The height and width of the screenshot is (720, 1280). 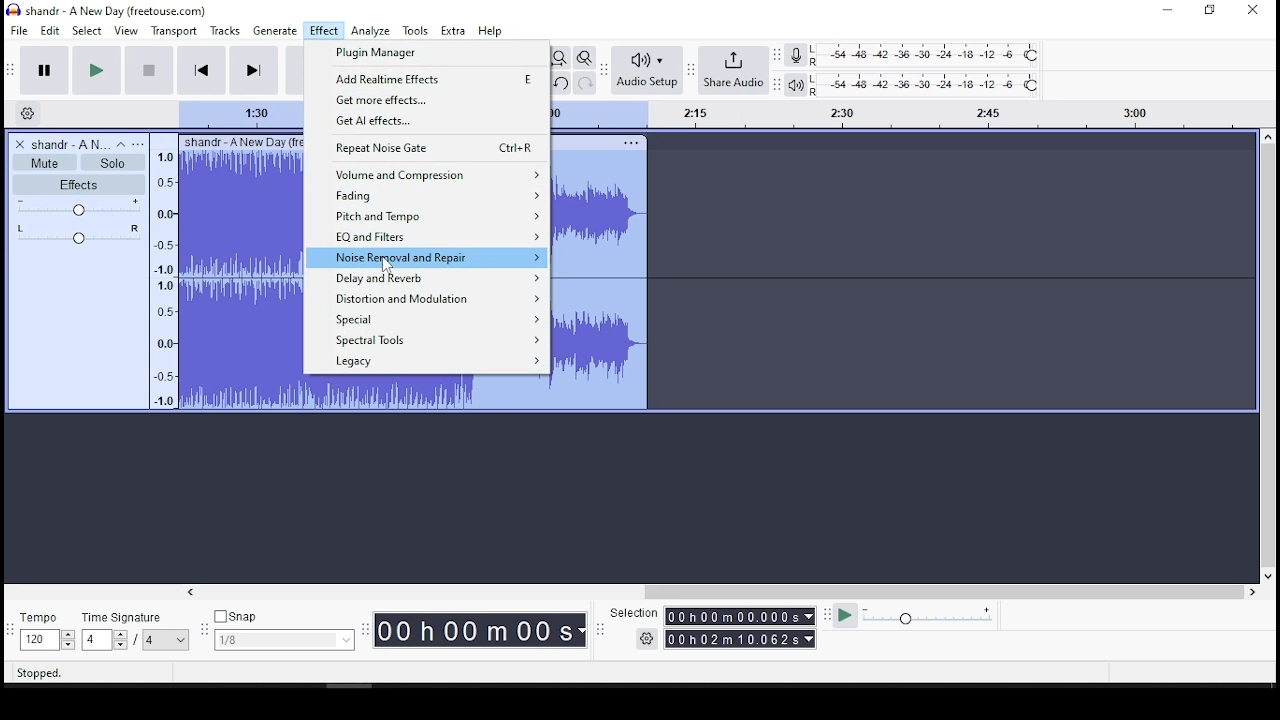 What do you see at coordinates (163, 276) in the screenshot?
I see `frequency scale` at bounding box center [163, 276].